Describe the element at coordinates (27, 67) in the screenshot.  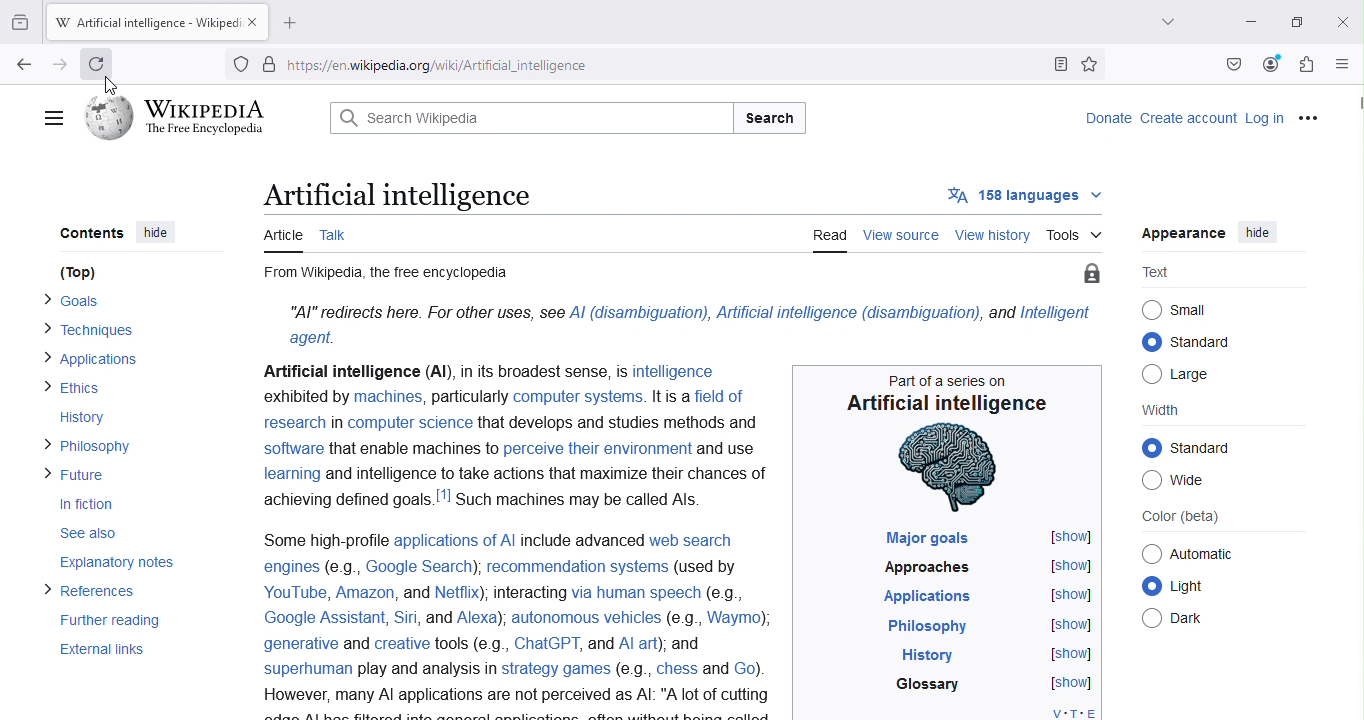
I see `Go back to one page` at that location.